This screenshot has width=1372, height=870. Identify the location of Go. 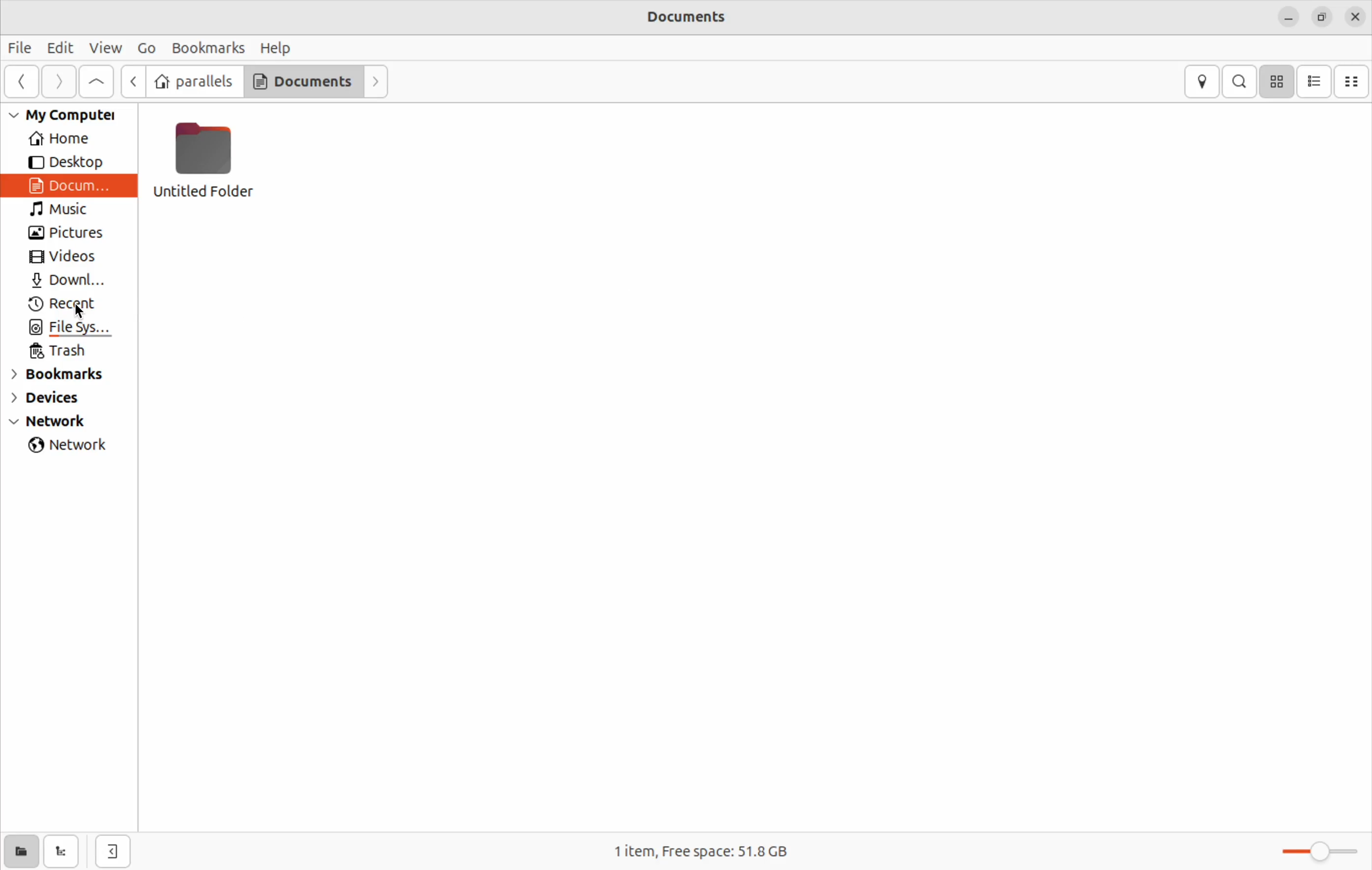
(144, 47).